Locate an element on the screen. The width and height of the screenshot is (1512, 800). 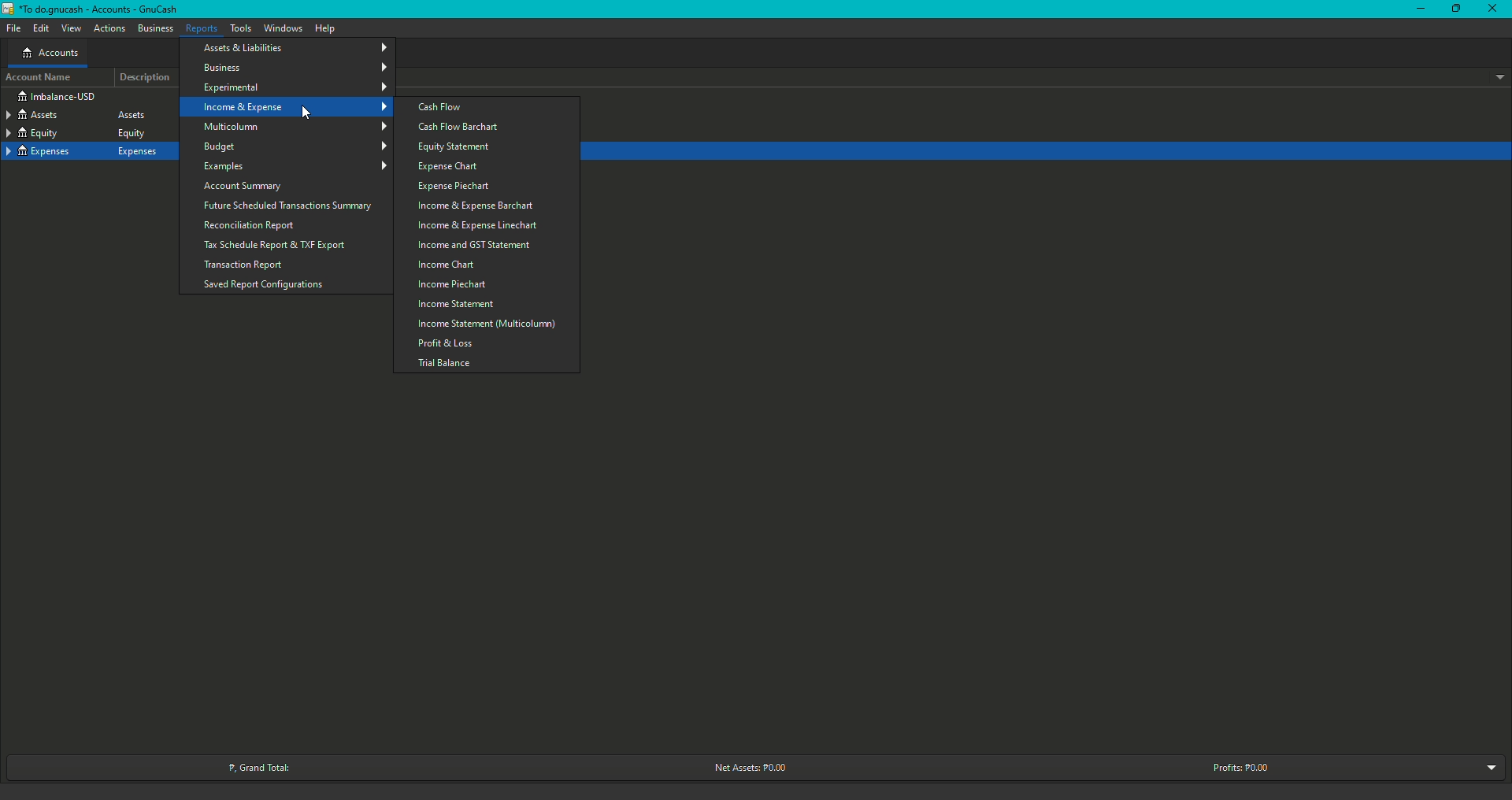
Multicolumn is located at coordinates (295, 127).